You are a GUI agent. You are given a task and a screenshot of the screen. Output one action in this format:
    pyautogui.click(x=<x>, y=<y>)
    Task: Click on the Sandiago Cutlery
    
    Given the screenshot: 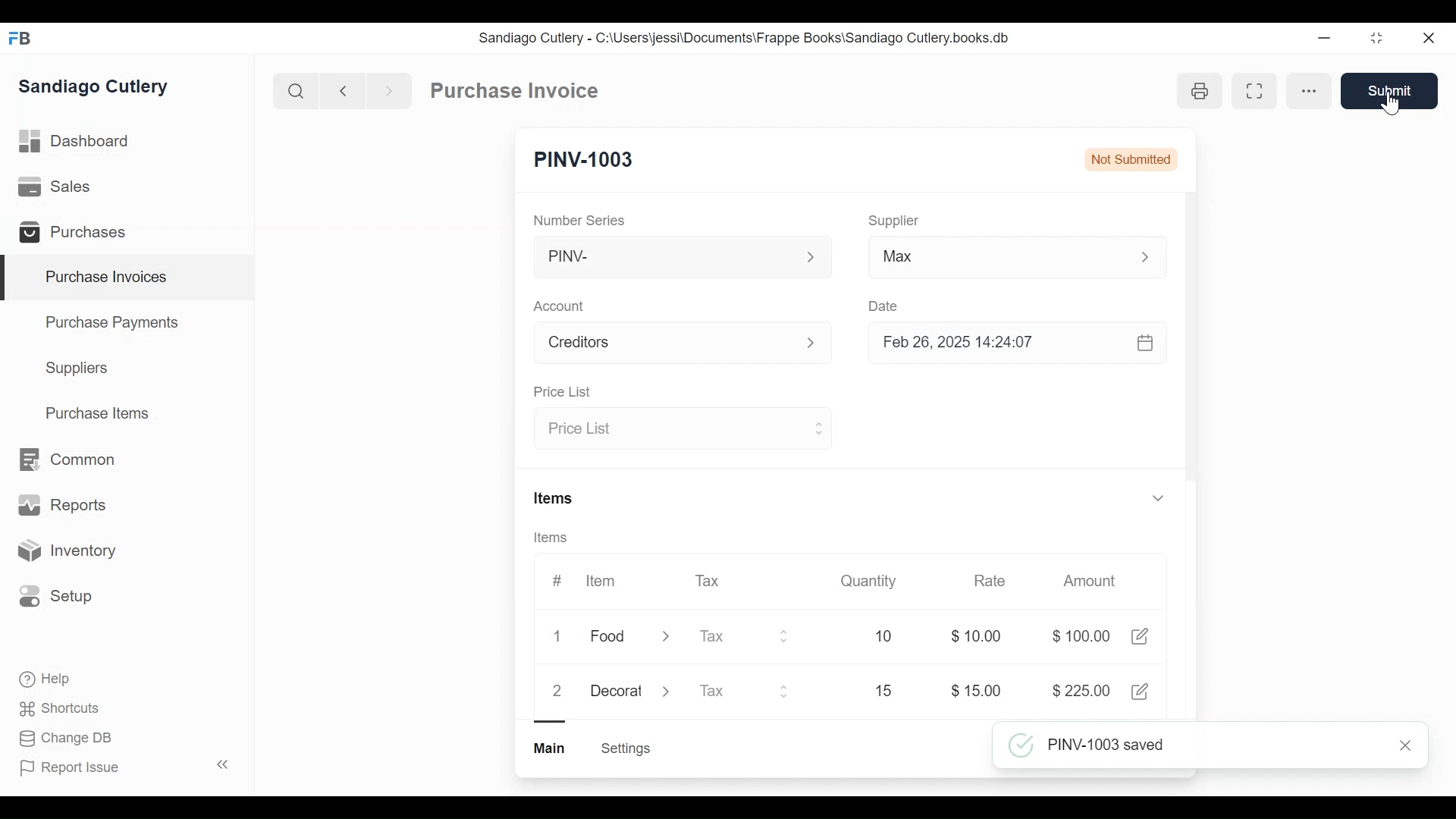 What is the action you would take?
    pyautogui.click(x=96, y=88)
    